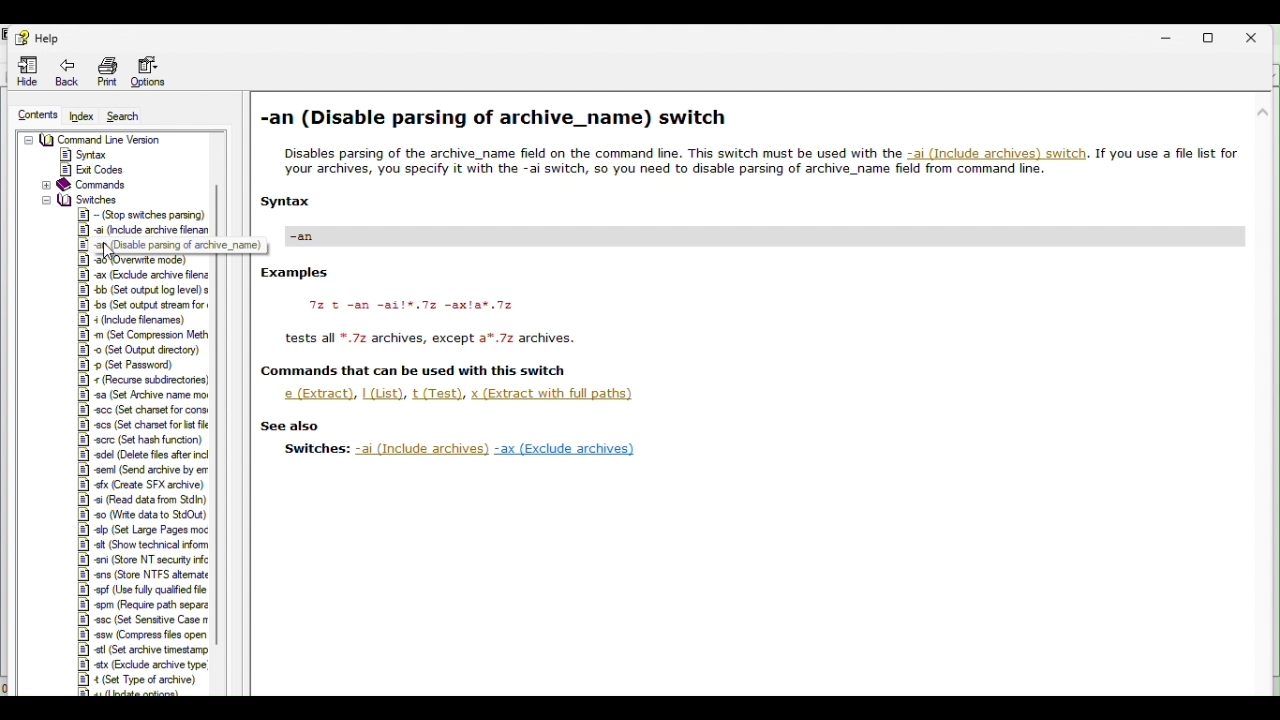 This screenshot has height=720, width=1280. I want to click on 1&8] bb (Set output log level) s, so click(145, 290).